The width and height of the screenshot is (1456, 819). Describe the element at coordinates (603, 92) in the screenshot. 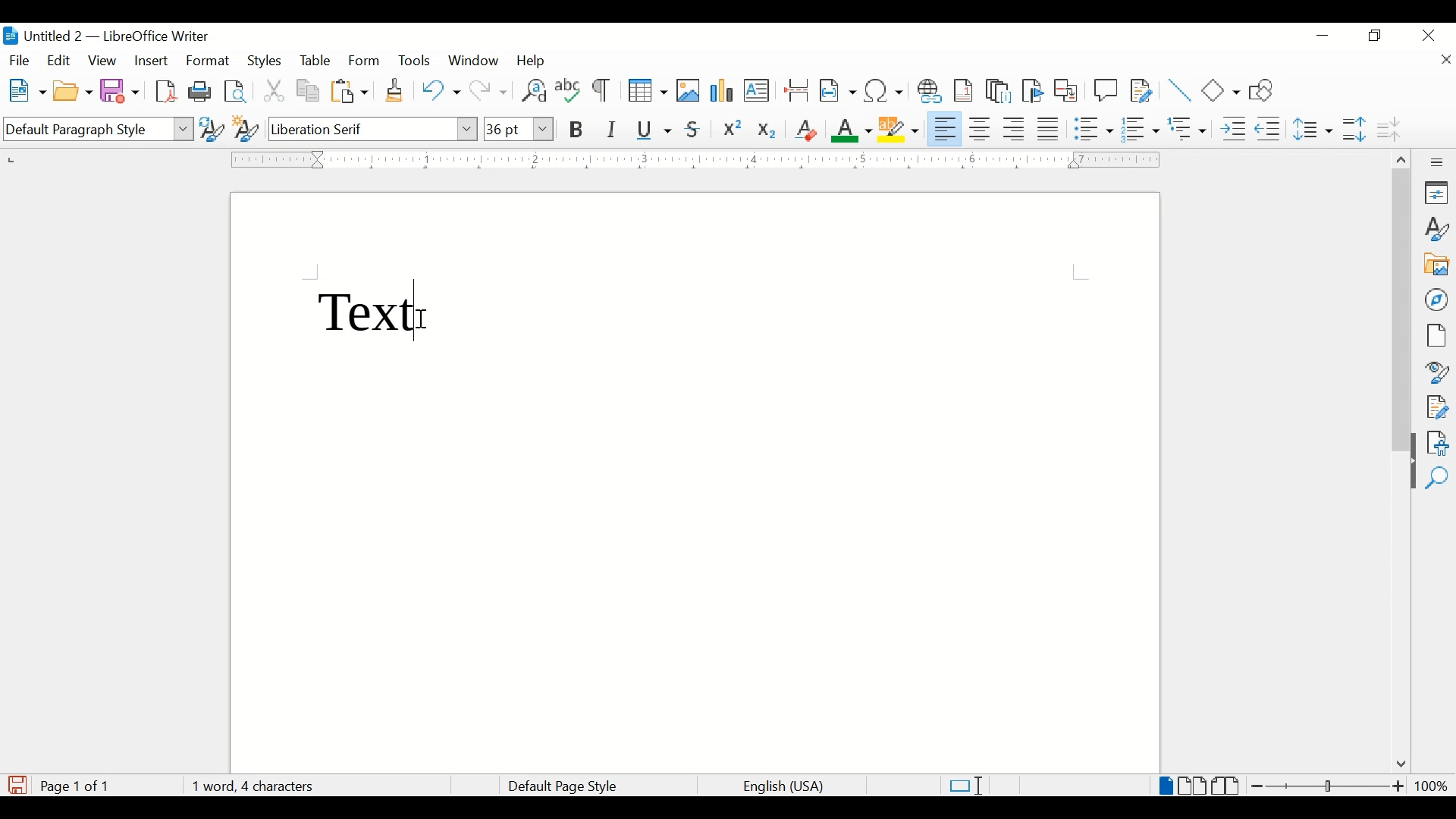

I see `toggle formatting marks` at that location.